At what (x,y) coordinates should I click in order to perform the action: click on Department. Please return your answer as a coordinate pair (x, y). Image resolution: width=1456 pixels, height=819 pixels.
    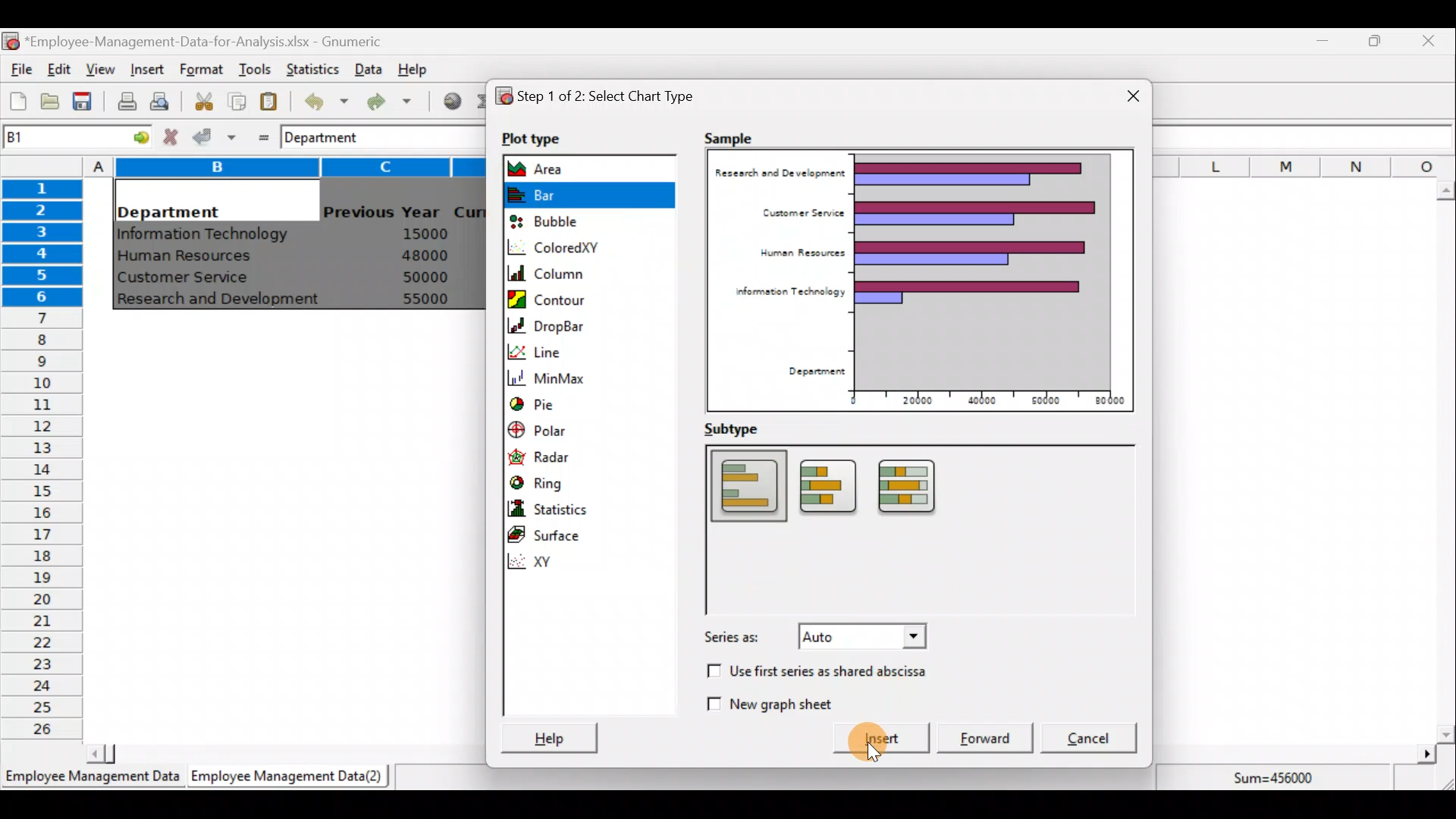
    Looking at the image, I should click on (809, 372).